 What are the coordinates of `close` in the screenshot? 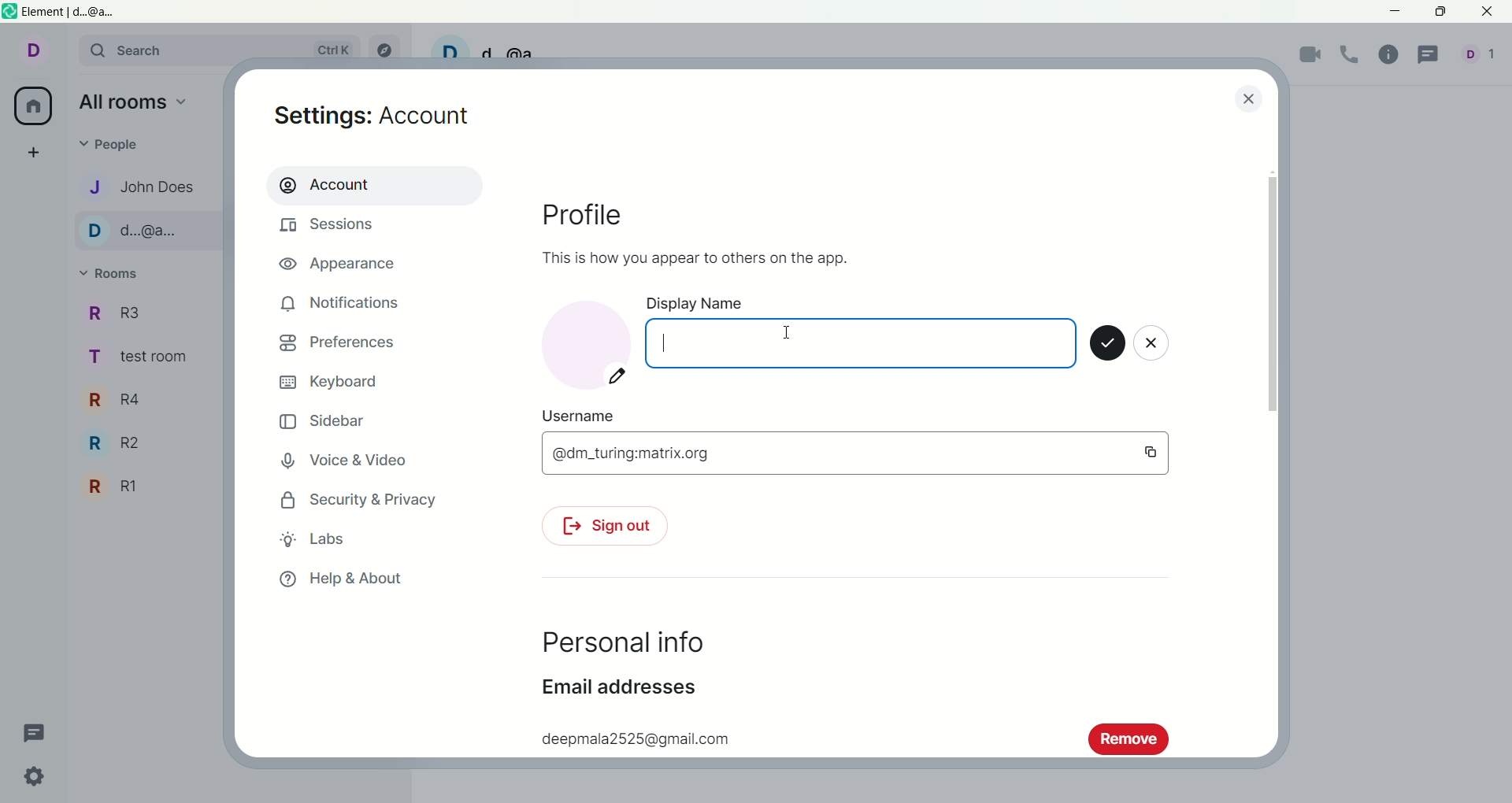 It's located at (1489, 13).